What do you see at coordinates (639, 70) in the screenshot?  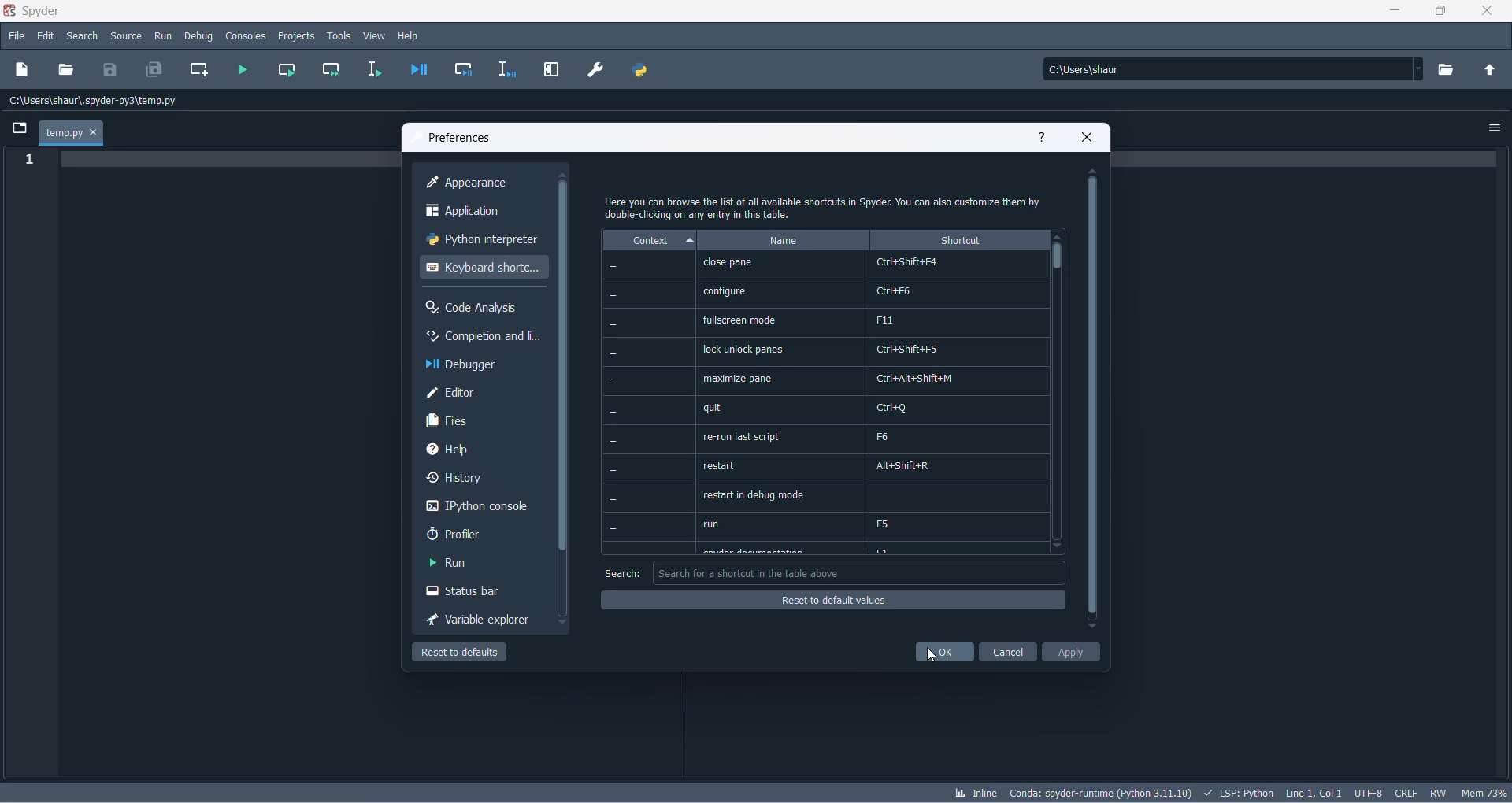 I see `PYTHON PATH MANAGER` at bounding box center [639, 70].